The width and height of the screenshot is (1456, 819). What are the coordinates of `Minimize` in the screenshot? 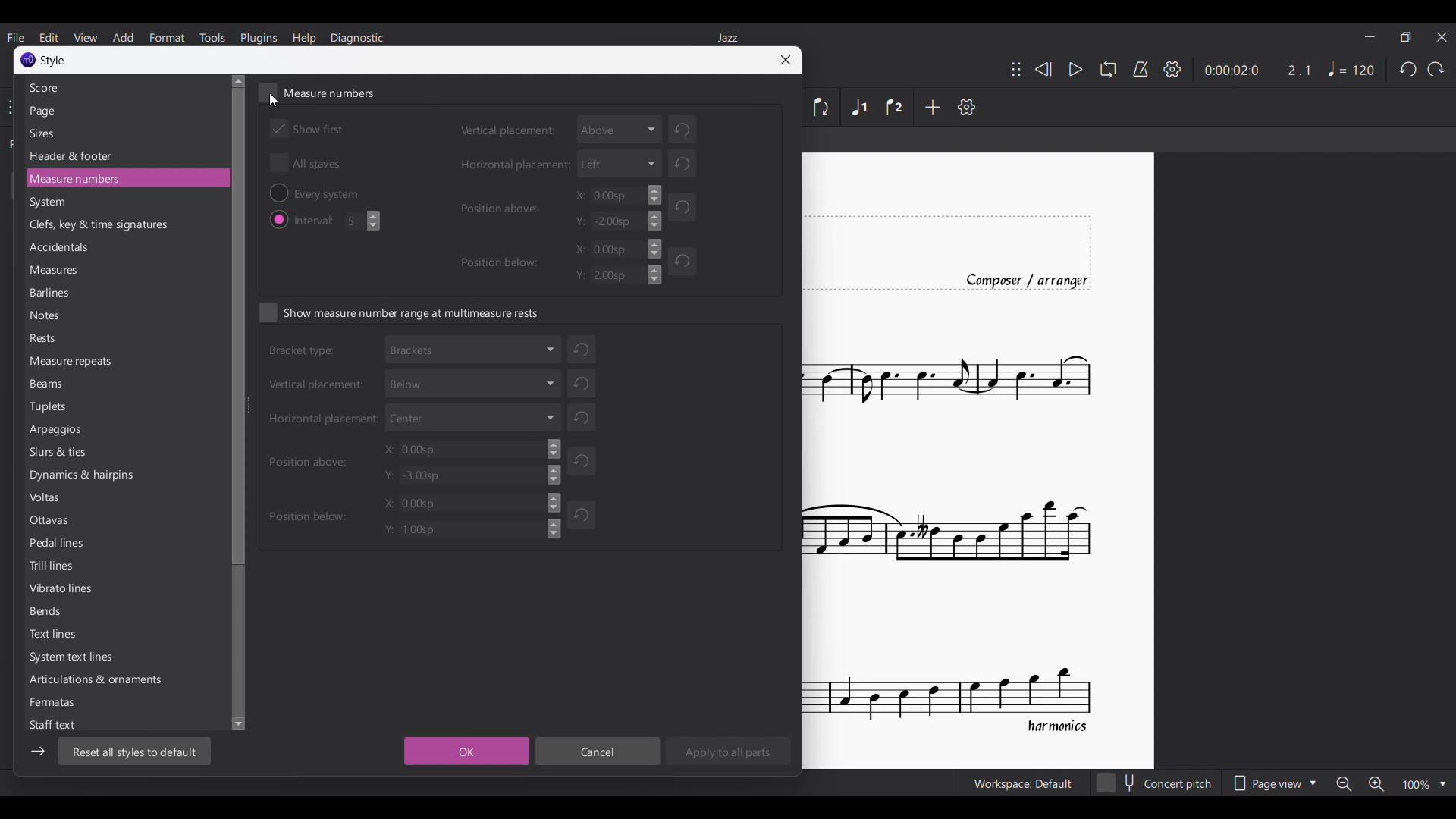 It's located at (1369, 36).